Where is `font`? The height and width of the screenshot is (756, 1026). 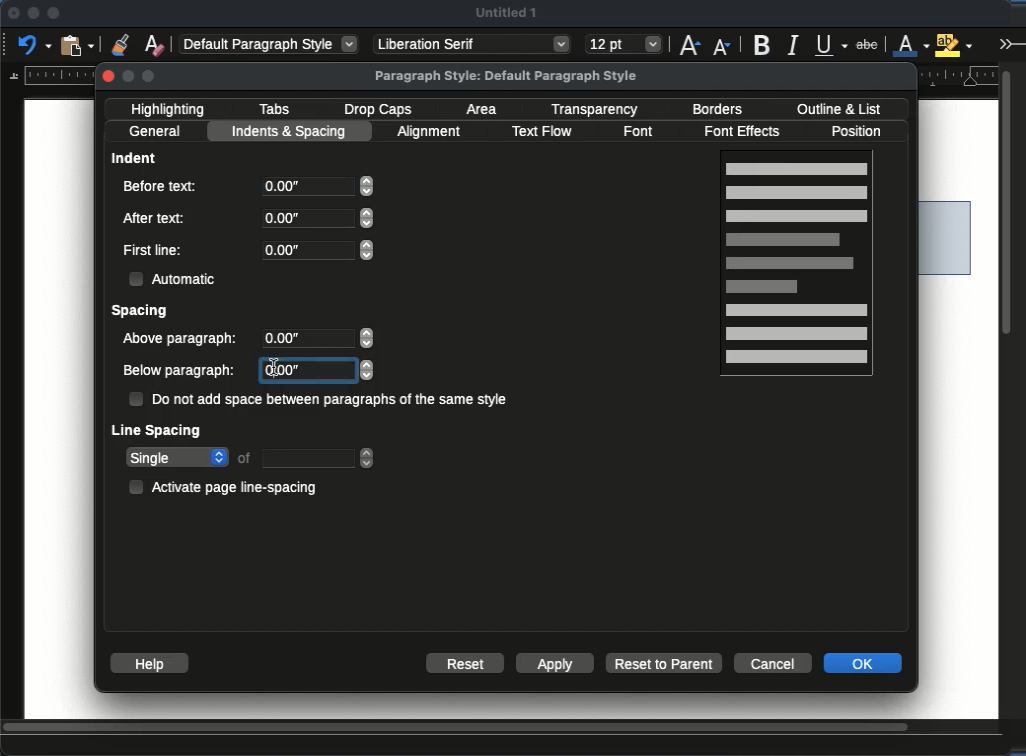
font is located at coordinates (642, 132).